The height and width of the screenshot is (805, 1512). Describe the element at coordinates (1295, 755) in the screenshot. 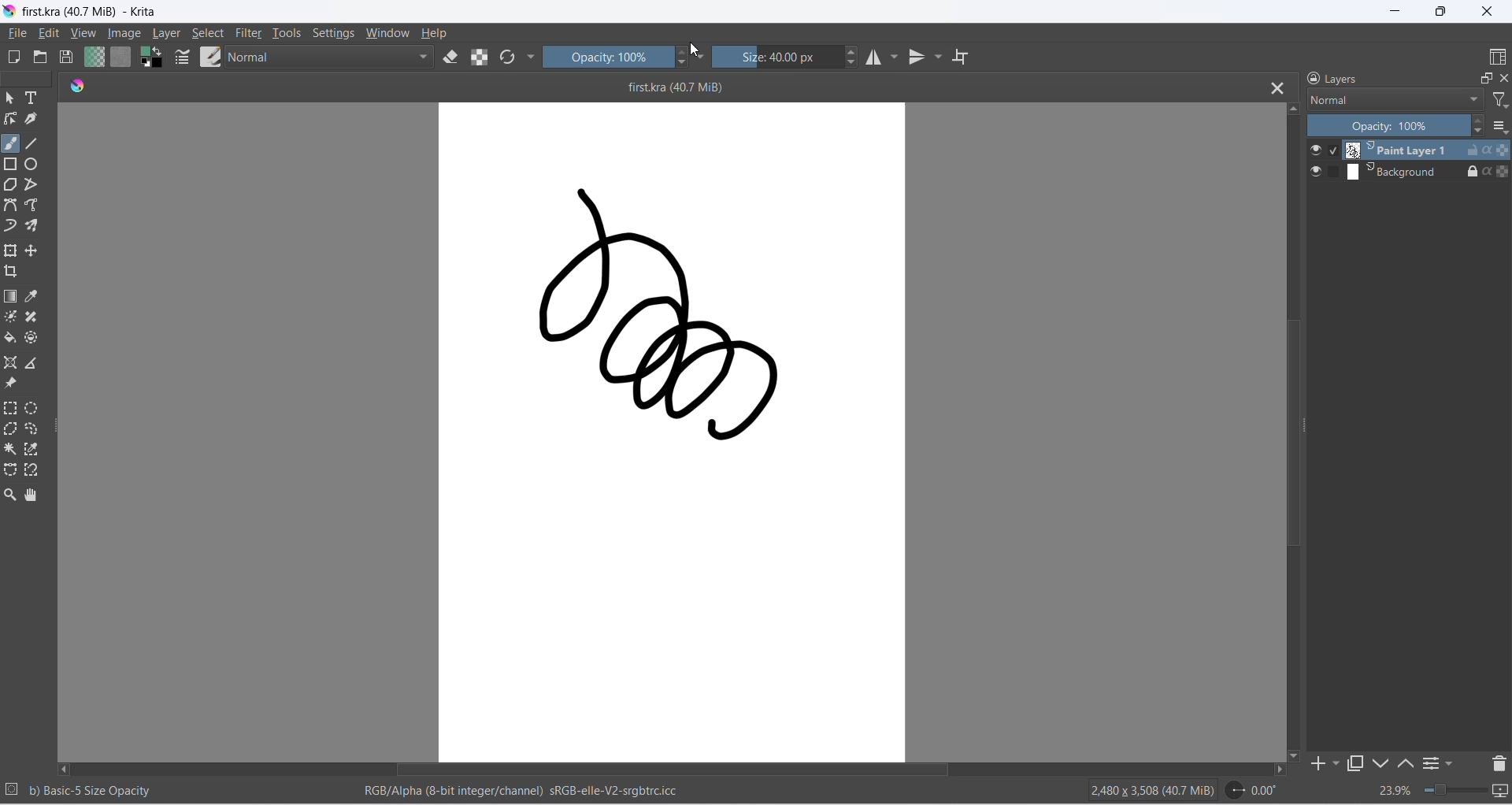

I see `down scroll button` at that location.